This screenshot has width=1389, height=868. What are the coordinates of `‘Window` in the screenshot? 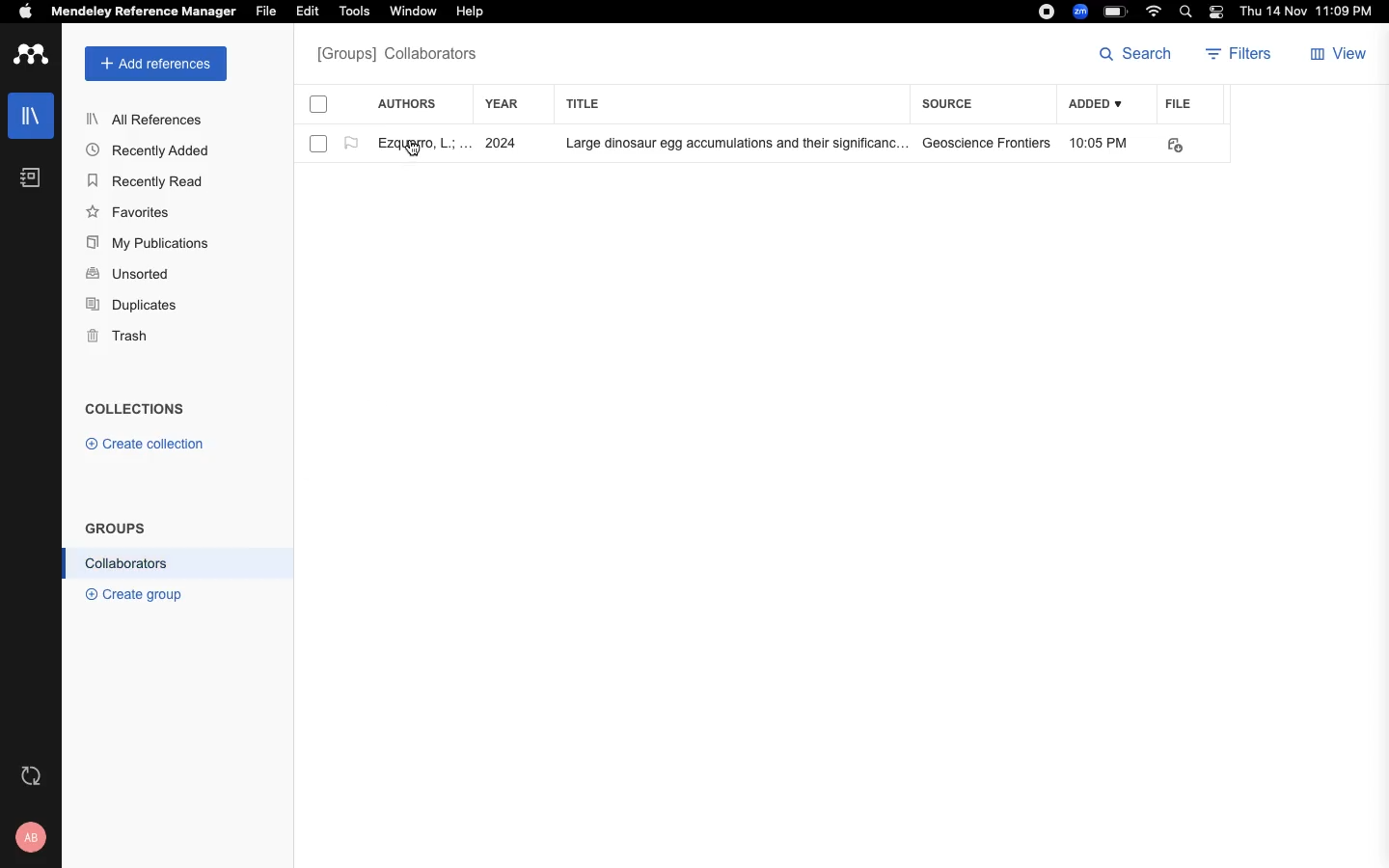 It's located at (415, 14).